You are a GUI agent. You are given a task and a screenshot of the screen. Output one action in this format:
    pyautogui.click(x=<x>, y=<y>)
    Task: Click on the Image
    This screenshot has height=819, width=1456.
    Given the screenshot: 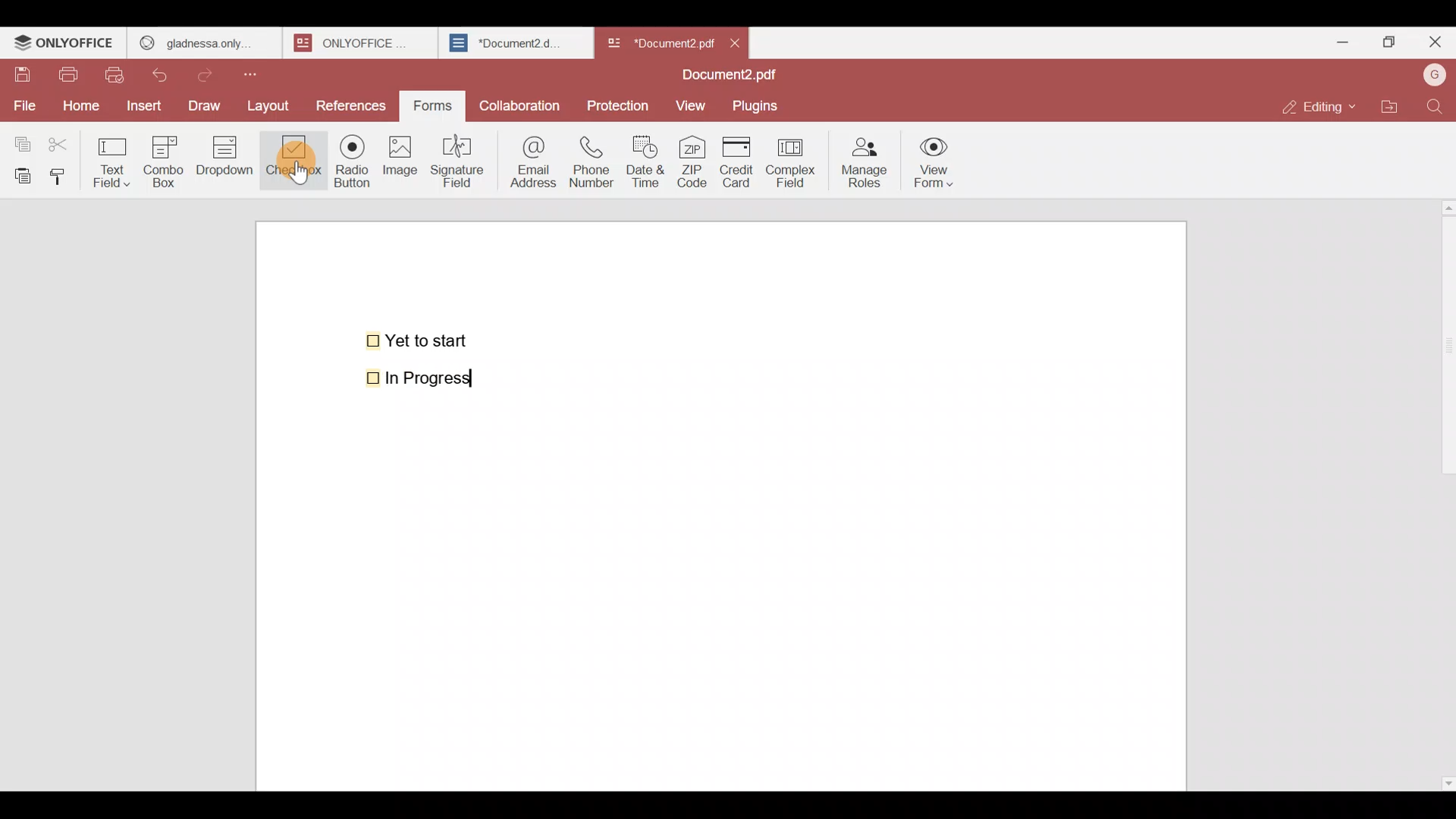 What is the action you would take?
    pyautogui.click(x=402, y=167)
    